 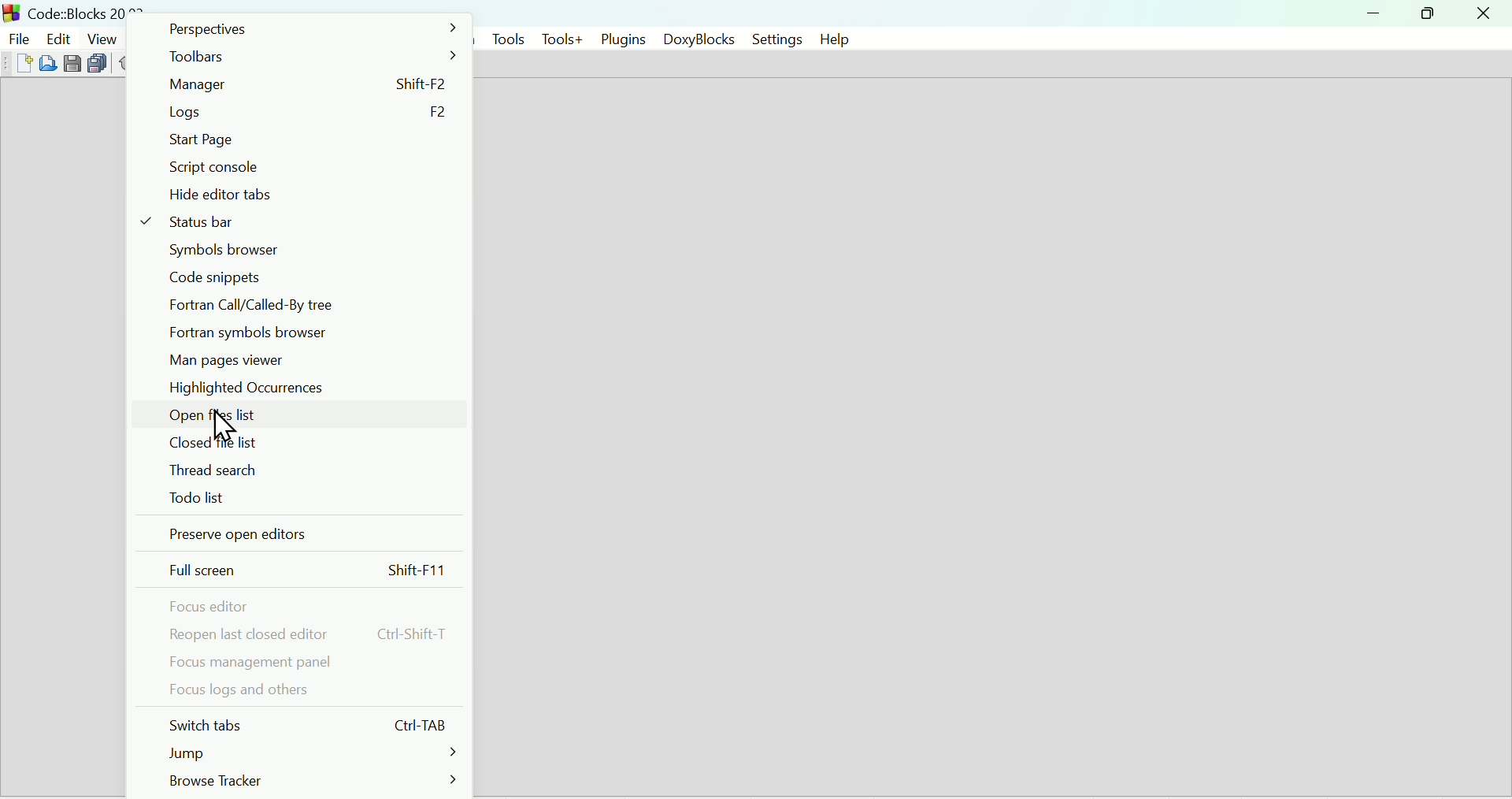 What do you see at coordinates (50, 63) in the screenshot?
I see `Open file` at bounding box center [50, 63].